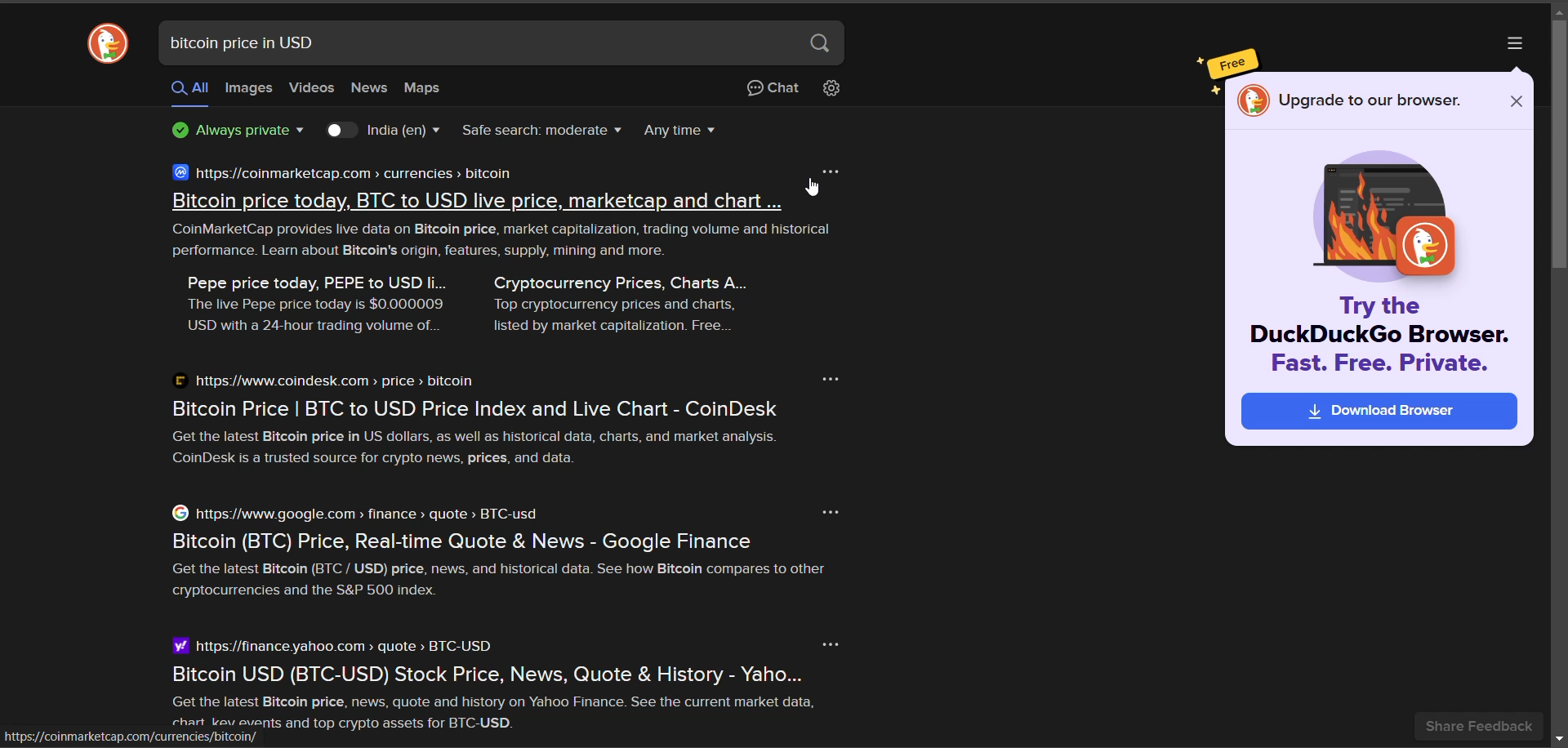 The width and height of the screenshot is (1568, 748). I want to click on search button, so click(820, 42).